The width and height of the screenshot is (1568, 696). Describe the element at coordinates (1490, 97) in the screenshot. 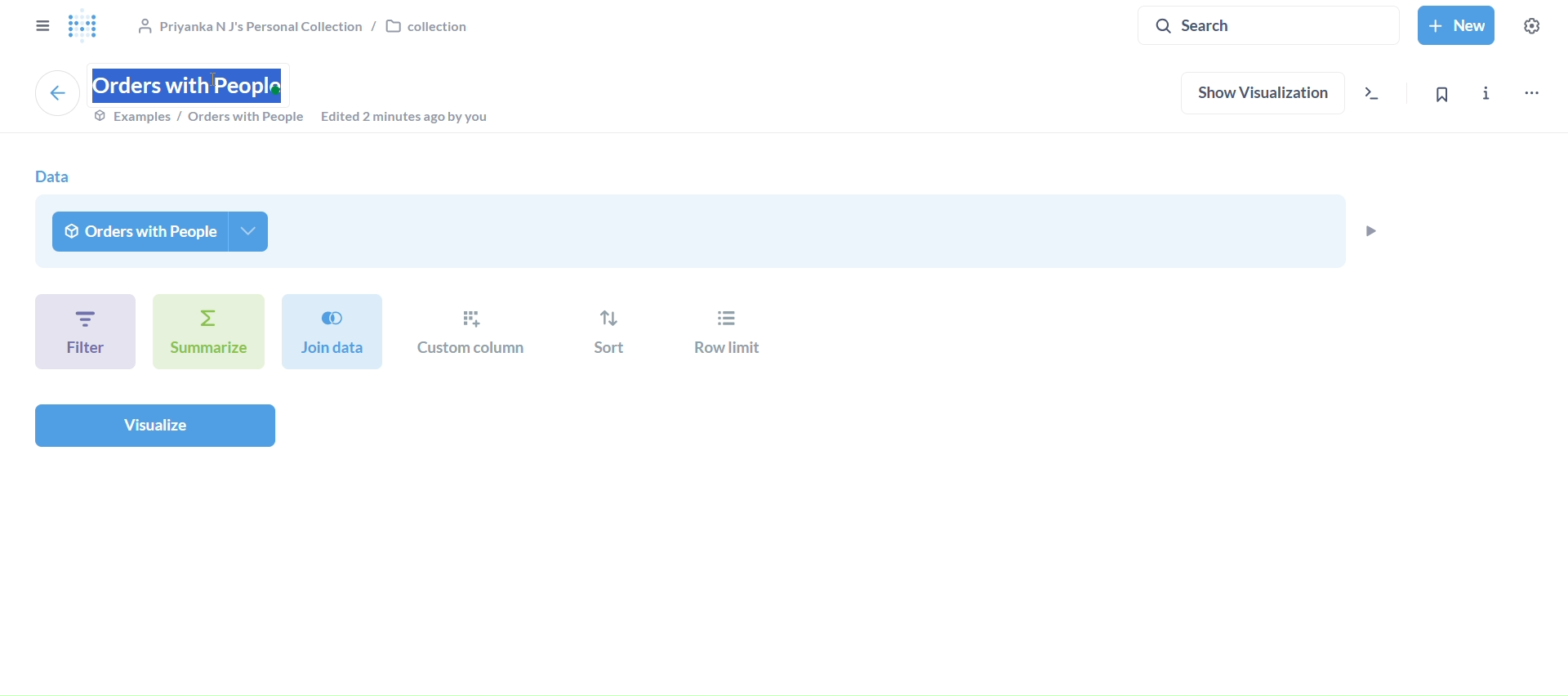

I see `info` at that location.